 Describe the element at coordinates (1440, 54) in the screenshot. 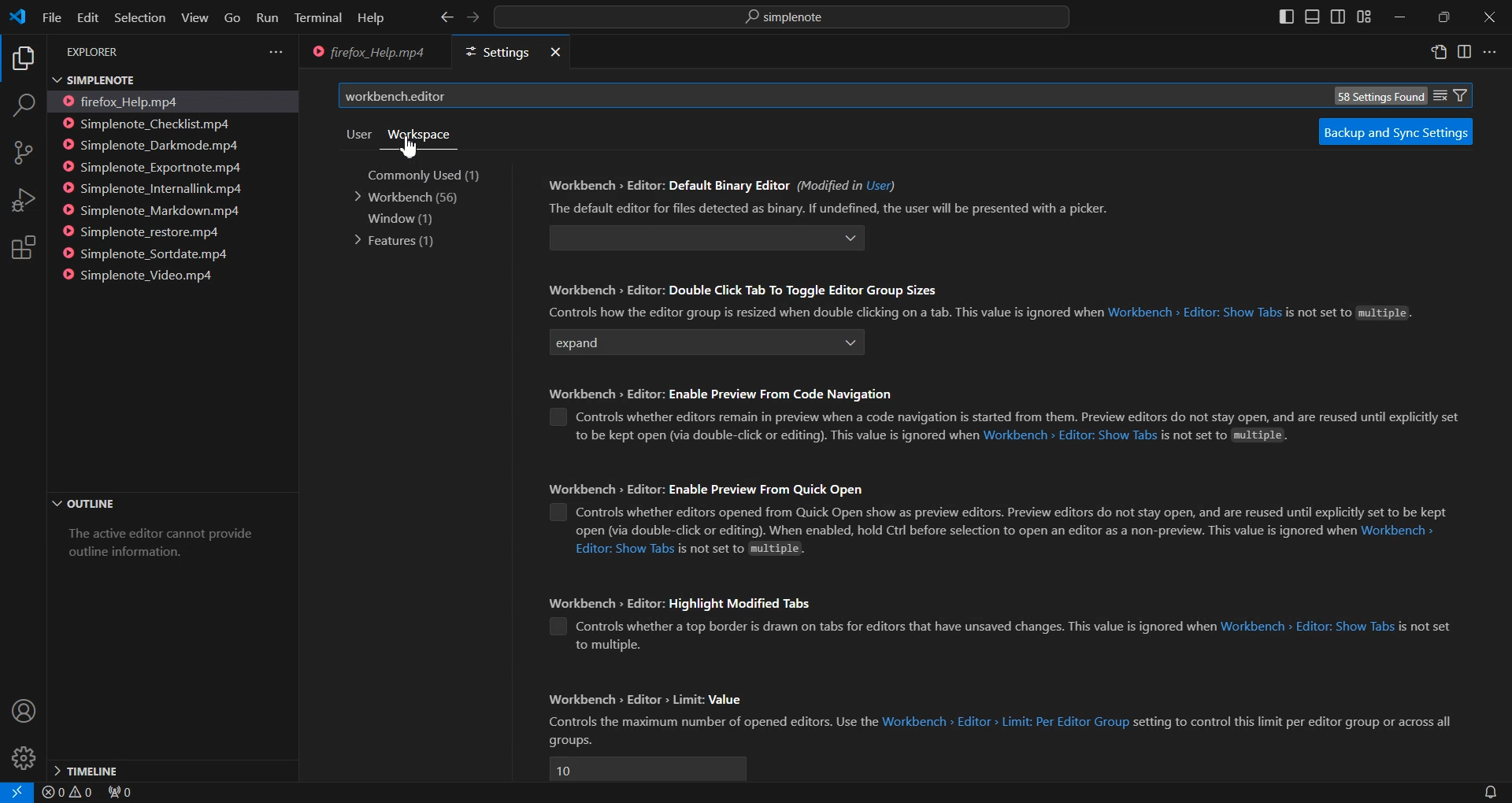

I see `Open setting` at that location.